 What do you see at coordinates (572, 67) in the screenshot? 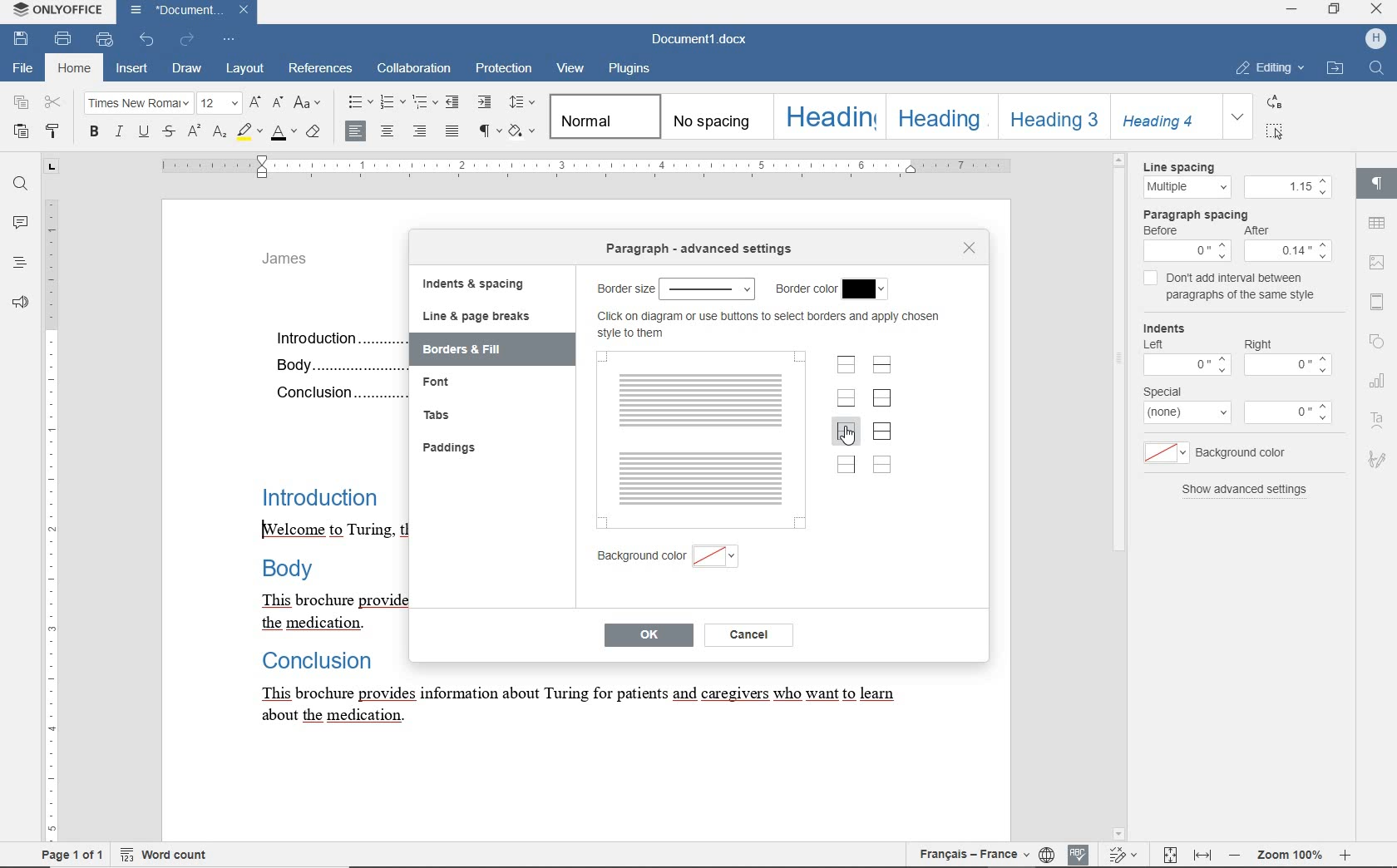
I see `view` at bounding box center [572, 67].